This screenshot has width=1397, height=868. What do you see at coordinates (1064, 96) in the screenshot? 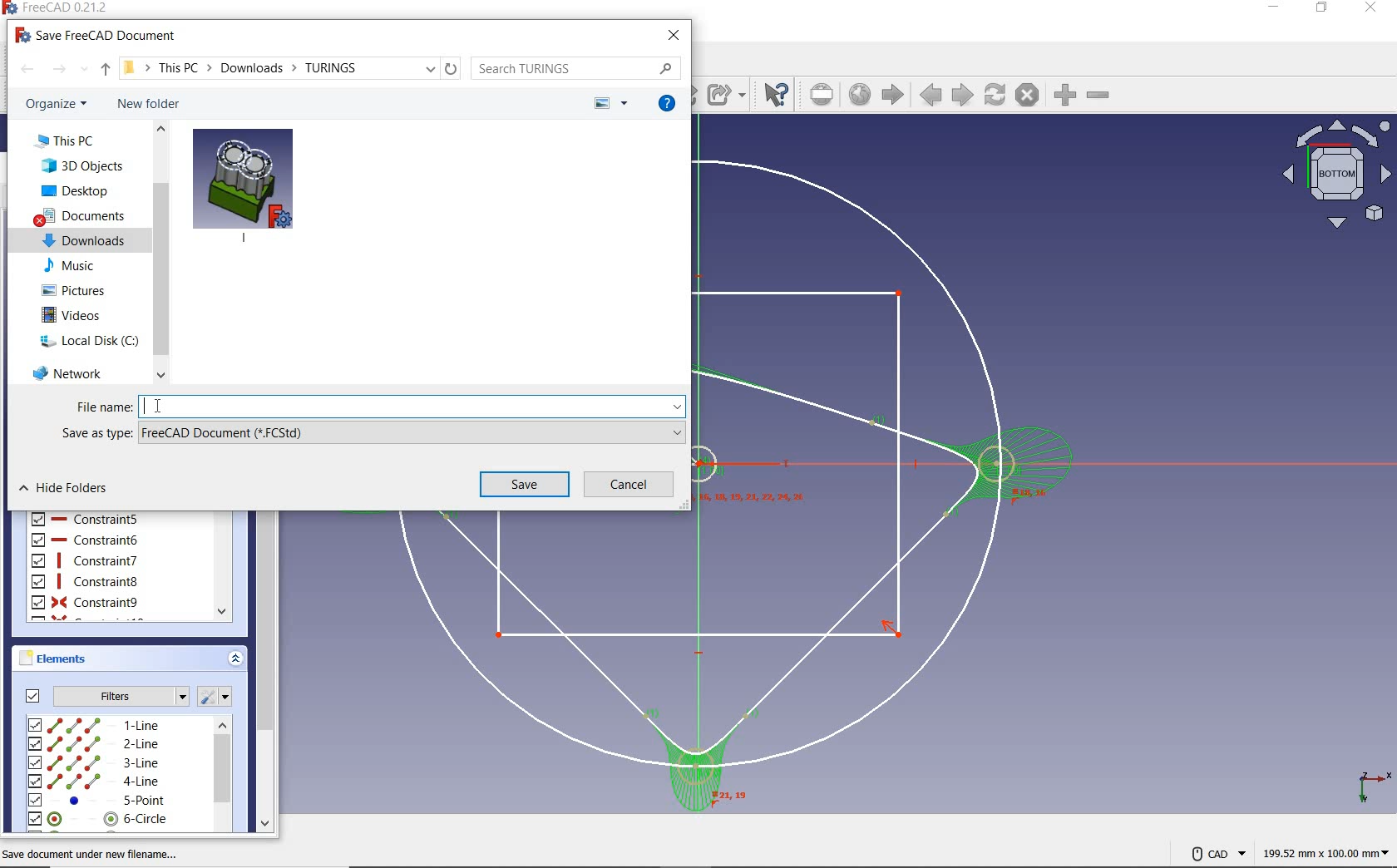
I see `zoom in` at bounding box center [1064, 96].